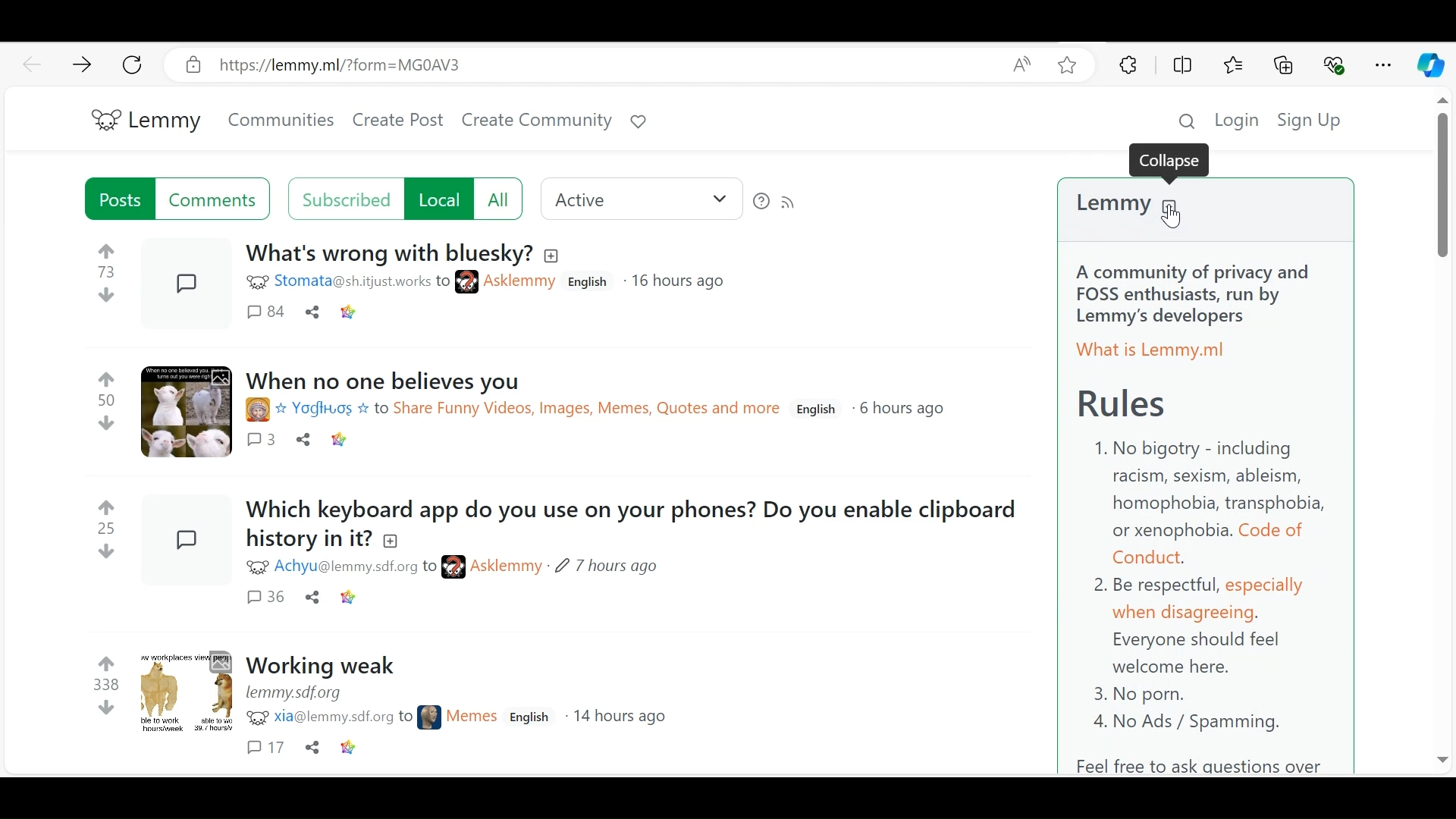 This screenshot has width=1456, height=819. What do you see at coordinates (639, 508) in the screenshot?
I see `Title` at bounding box center [639, 508].